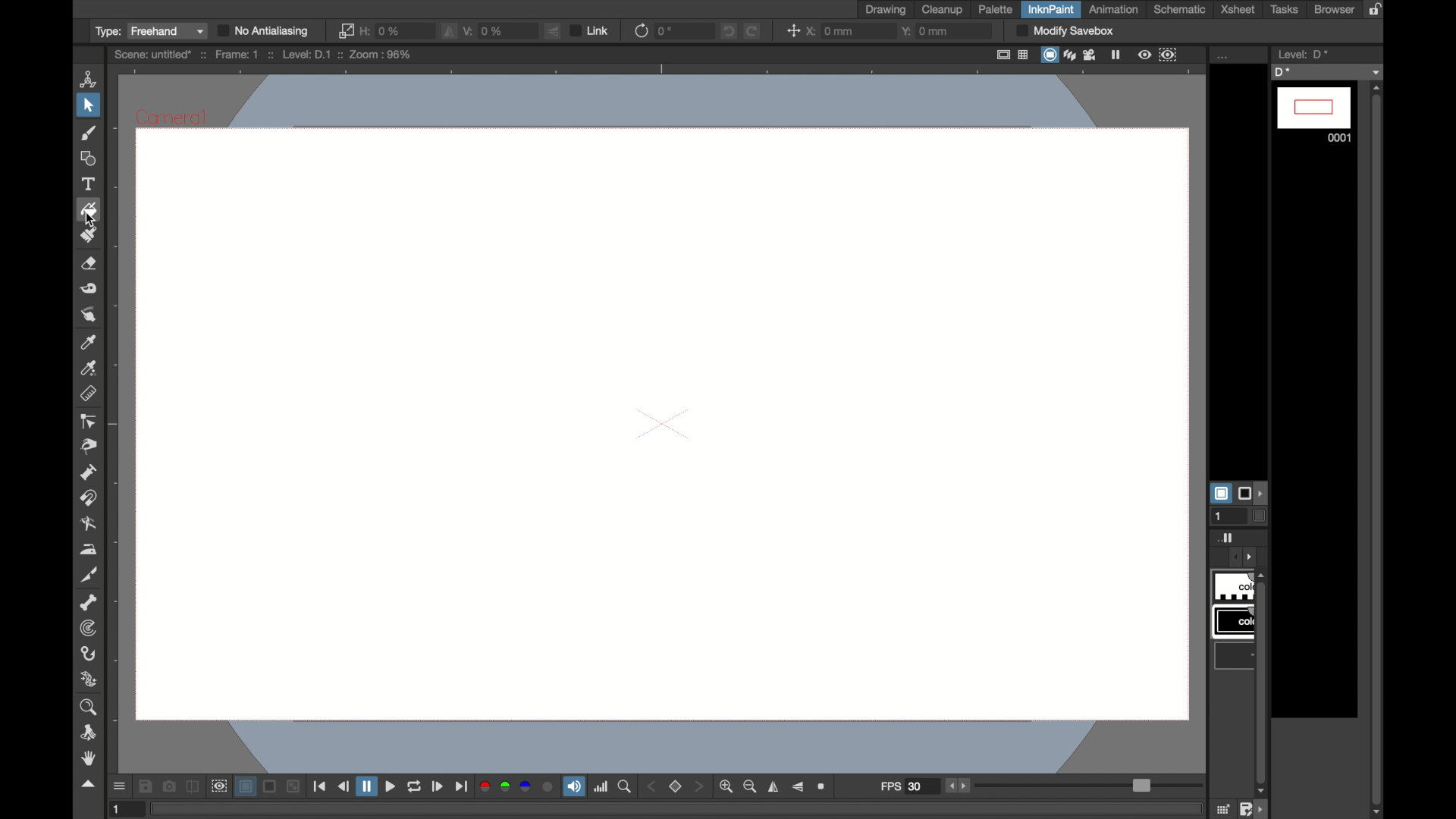 This screenshot has height=819, width=1456. I want to click on save, so click(146, 786).